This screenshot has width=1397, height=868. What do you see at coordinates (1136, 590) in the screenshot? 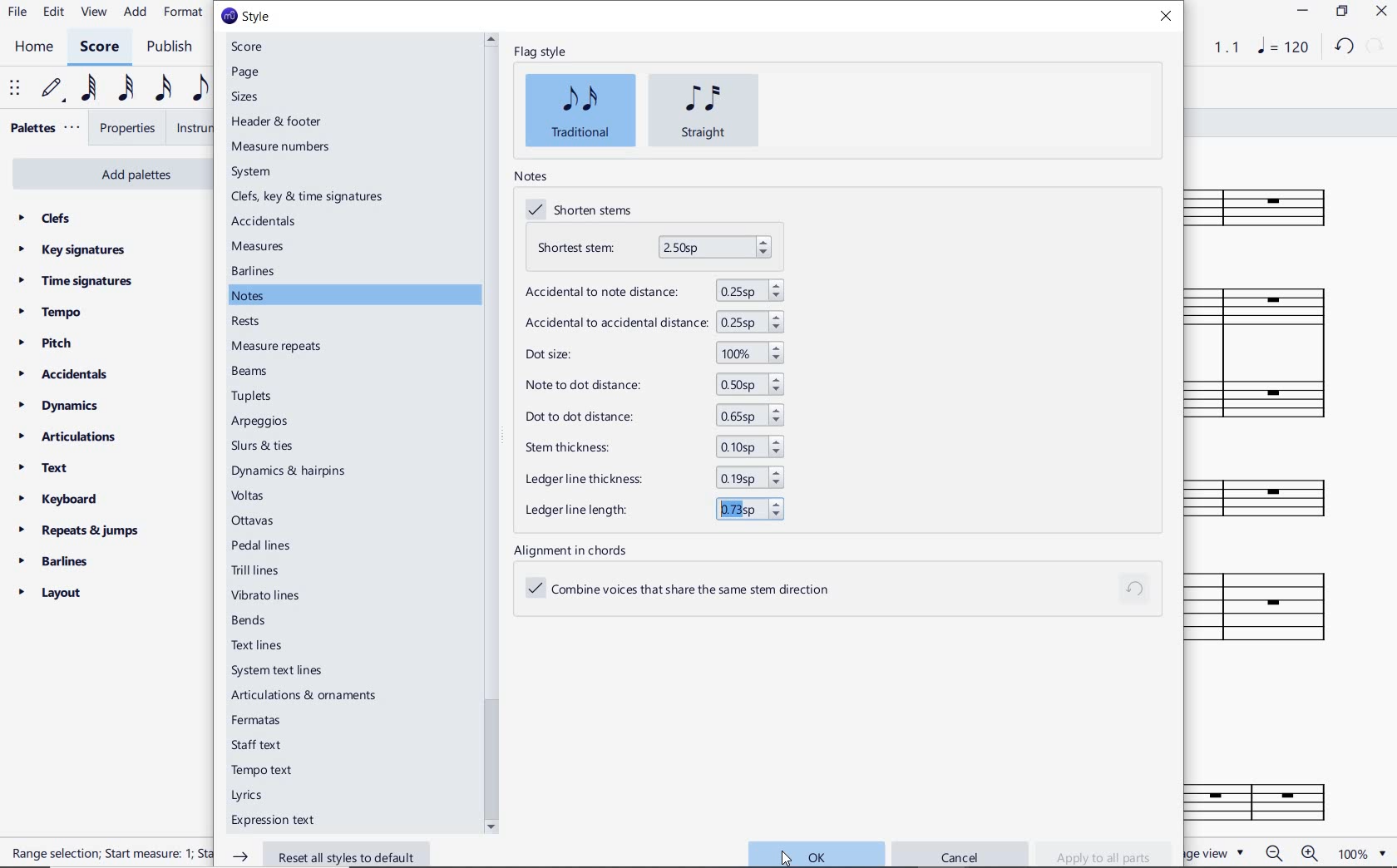
I see `reset to default` at bounding box center [1136, 590].